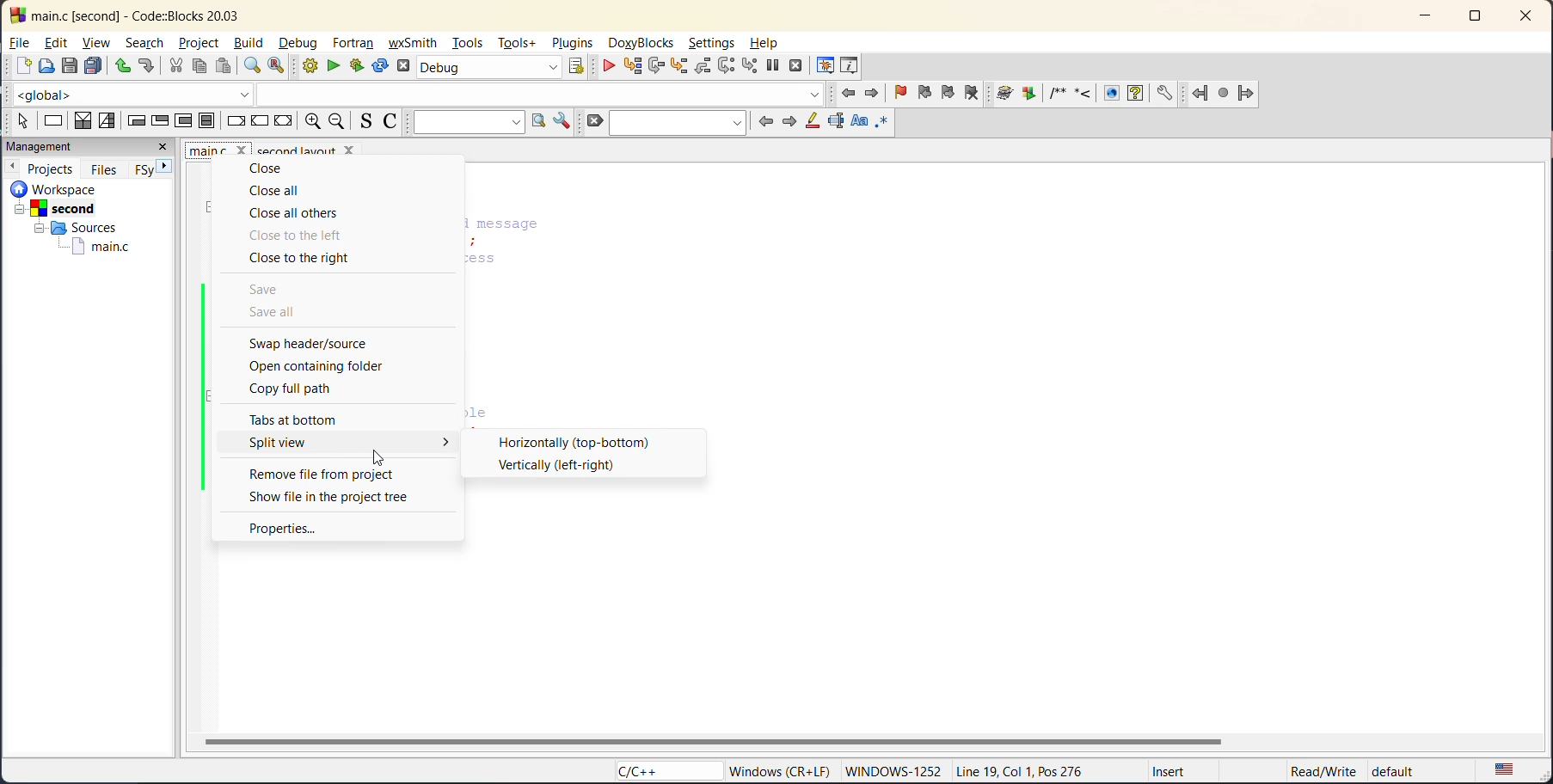 This screenshot has height=784, width=1553. Describe the element at coordinates (321, 149) in the screenshot. I see `second layout` at that location.